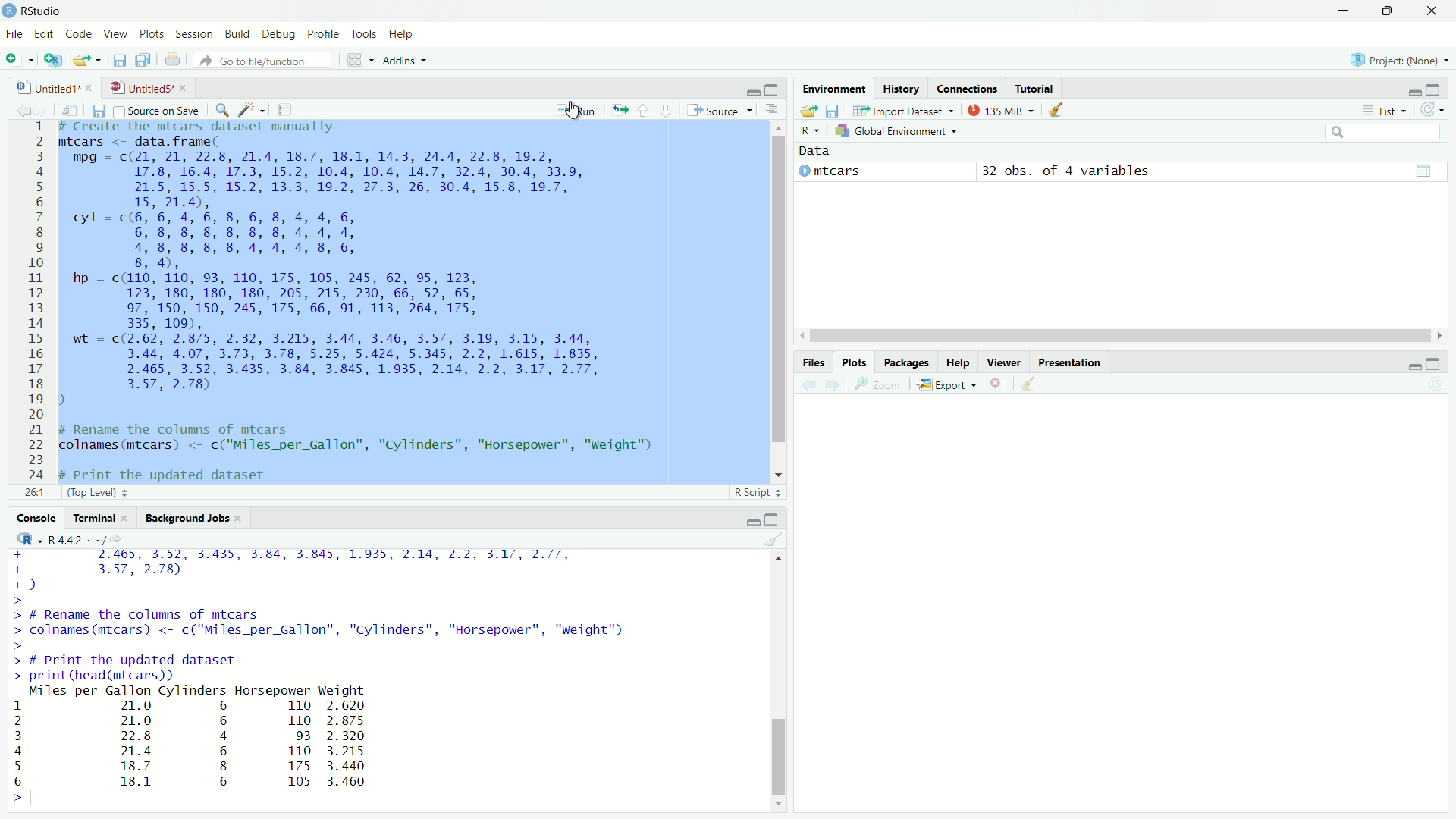 The image size is (1456, 819). Describe the element at coordinates (71, 538) in the screenshot. I see `R44 . -` at that location.